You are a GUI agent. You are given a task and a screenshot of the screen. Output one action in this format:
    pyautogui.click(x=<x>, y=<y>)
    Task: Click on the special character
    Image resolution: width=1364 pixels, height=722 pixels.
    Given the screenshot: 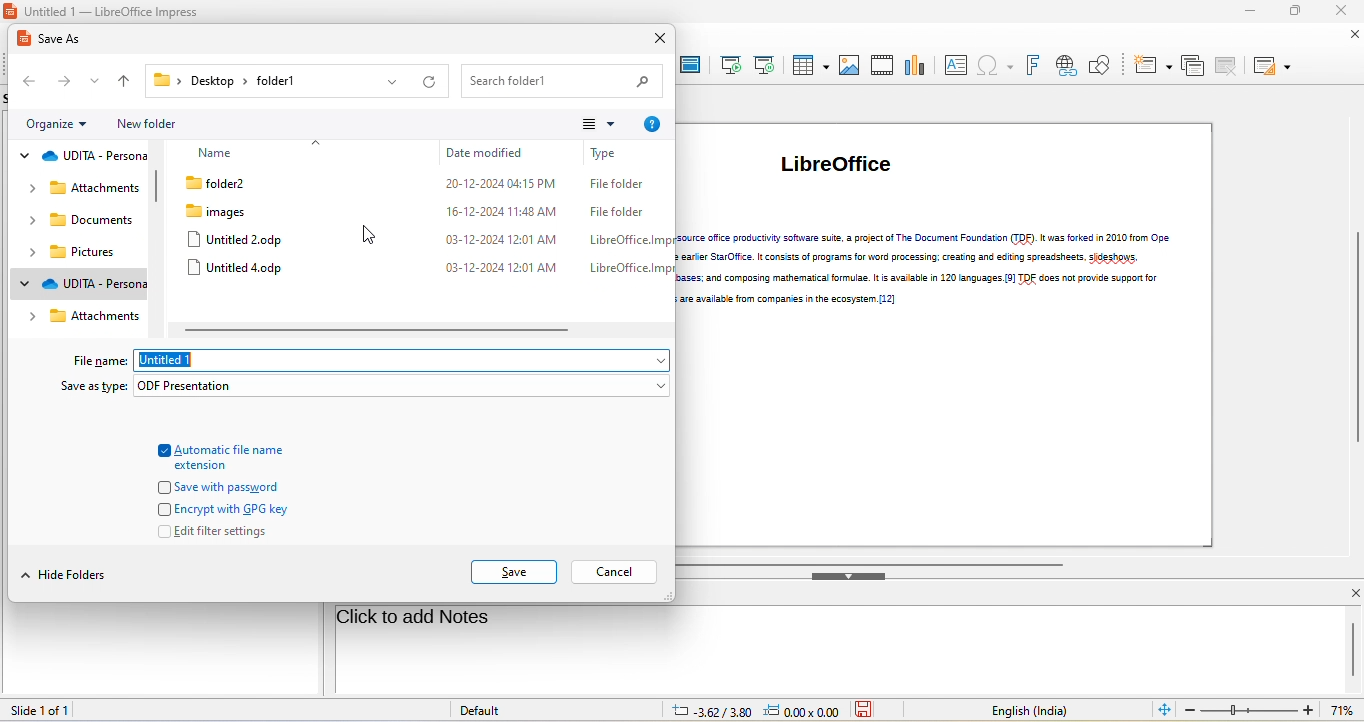 What is the action you would take?
    pyautogui.click(x=994, y=67)
    